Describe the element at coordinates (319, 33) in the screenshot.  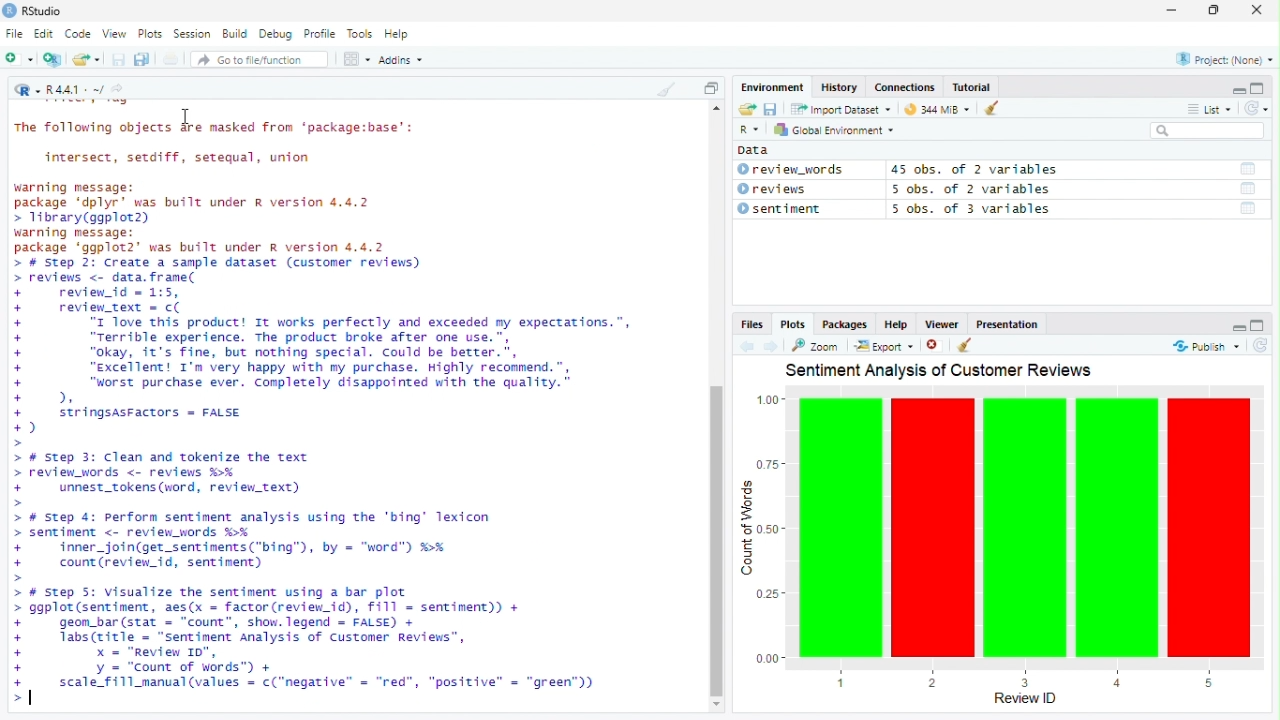
I see `Profile` at that location.